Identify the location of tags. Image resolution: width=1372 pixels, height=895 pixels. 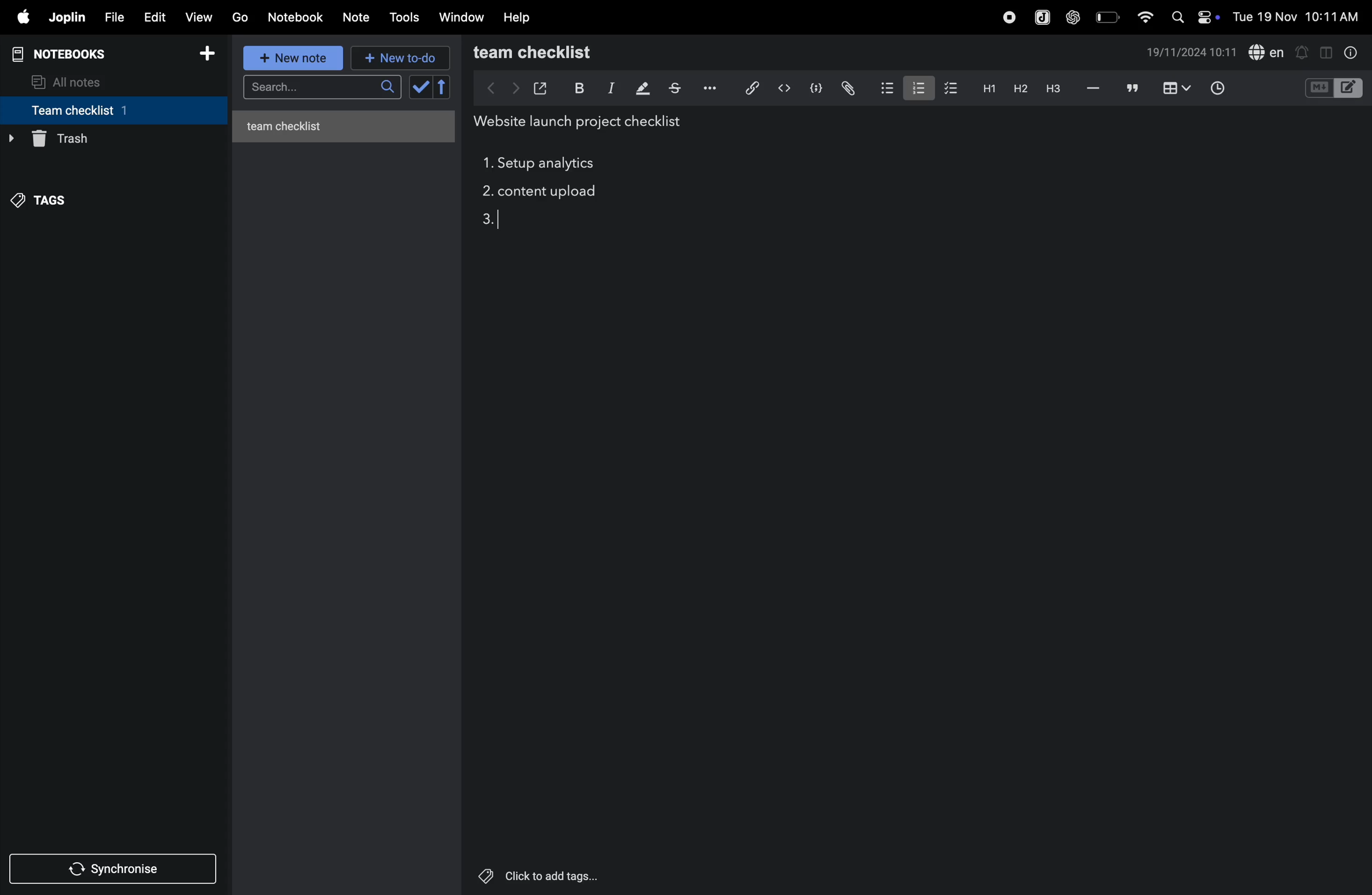
(47, 197).